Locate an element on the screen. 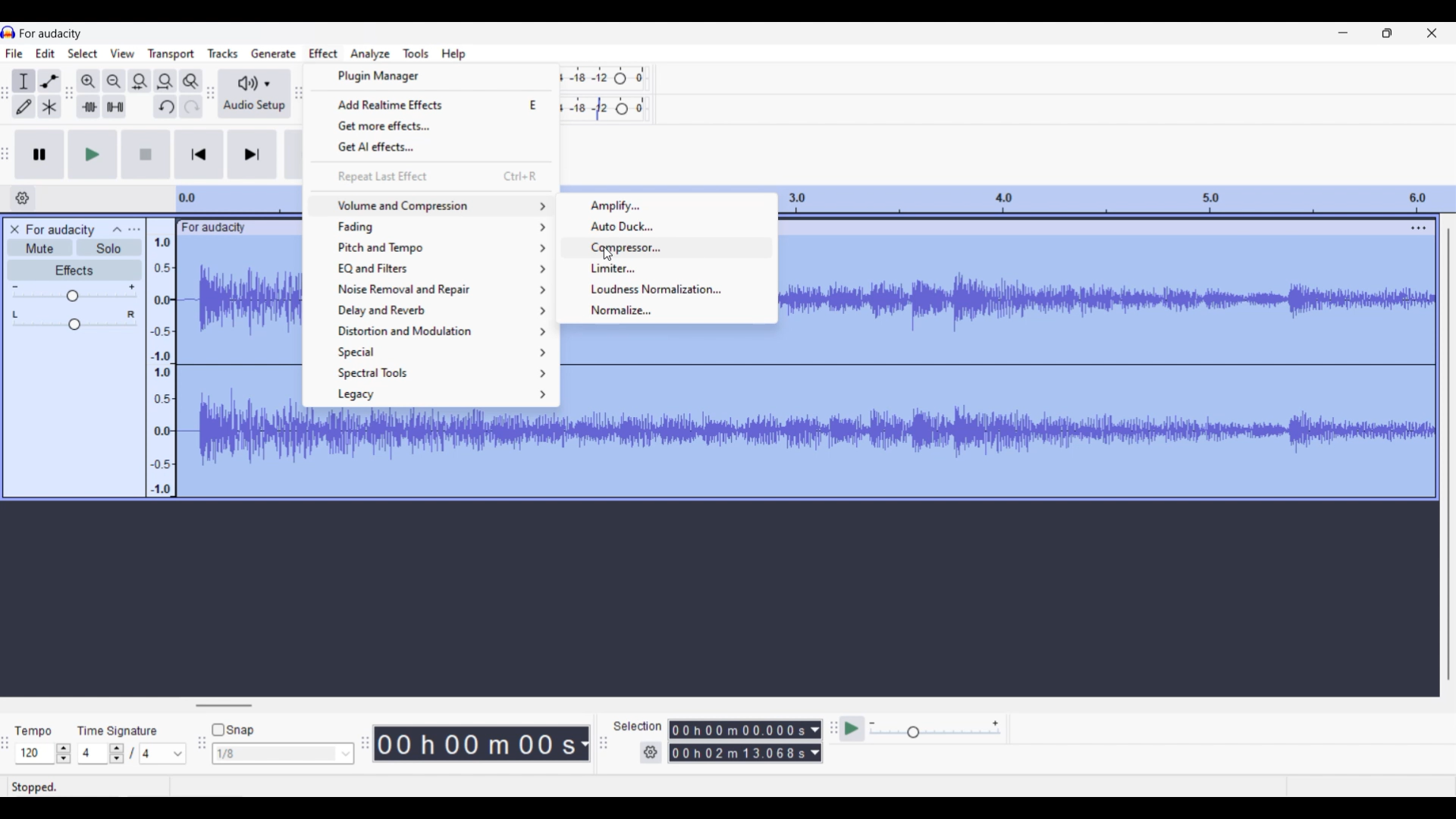 This screenshot has width=1456, height=819. Software logo is located at coordinates (8, 33).